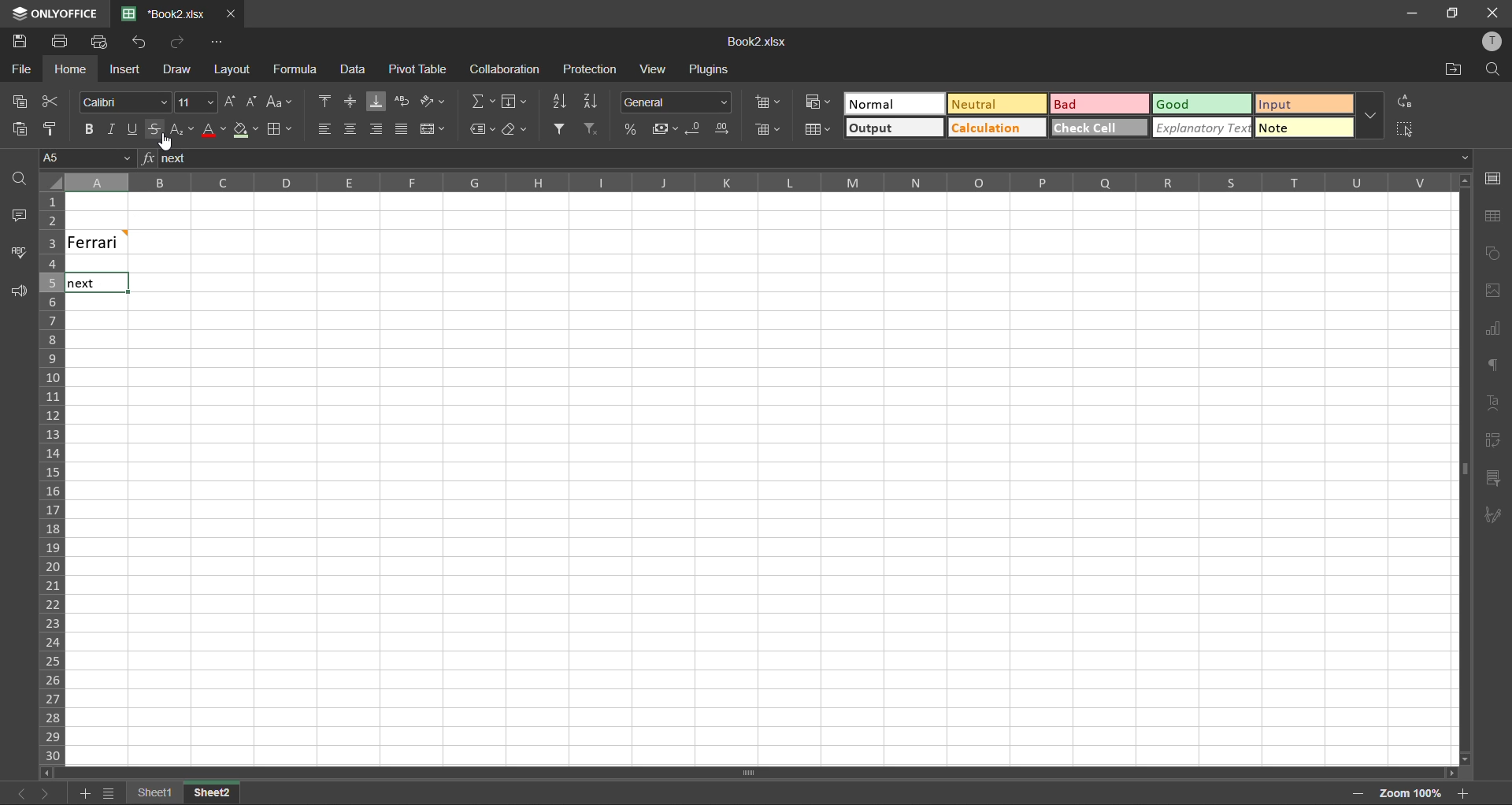 The image size is (1512, 805). Describe the element at coordinates (664, 129) in the screenshot. I see `accounting` at that location.